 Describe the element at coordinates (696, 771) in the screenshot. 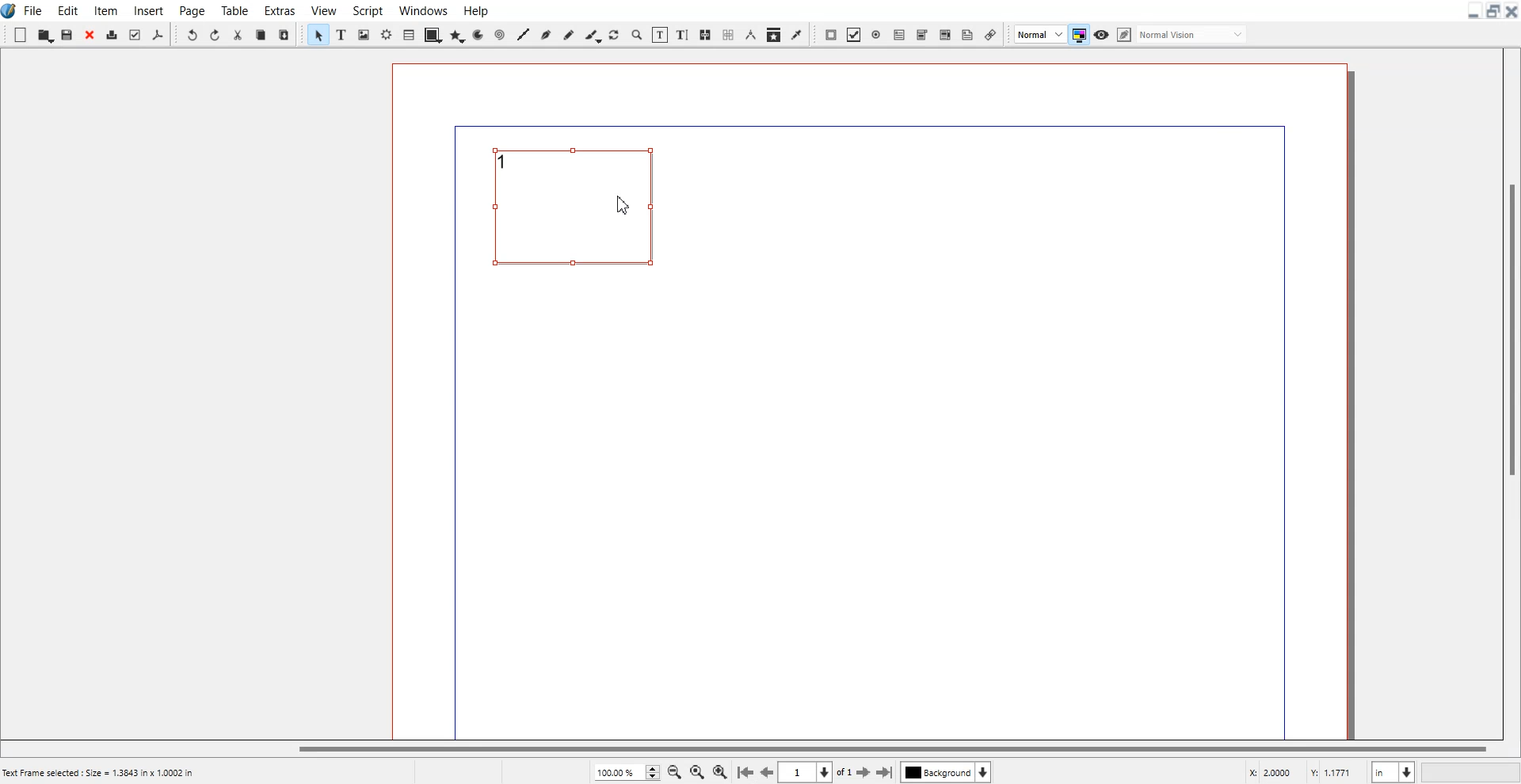

I see `Zoom to 100%` at that location.